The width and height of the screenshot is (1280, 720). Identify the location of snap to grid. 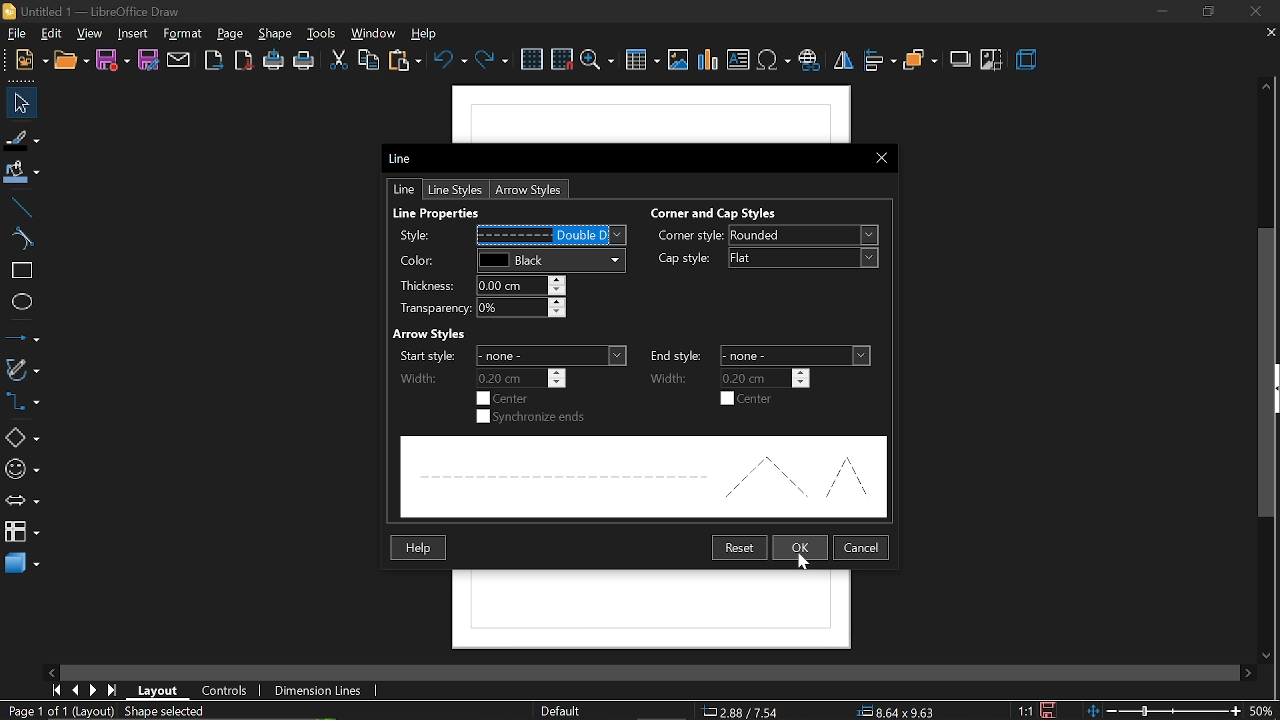
(562, 59).